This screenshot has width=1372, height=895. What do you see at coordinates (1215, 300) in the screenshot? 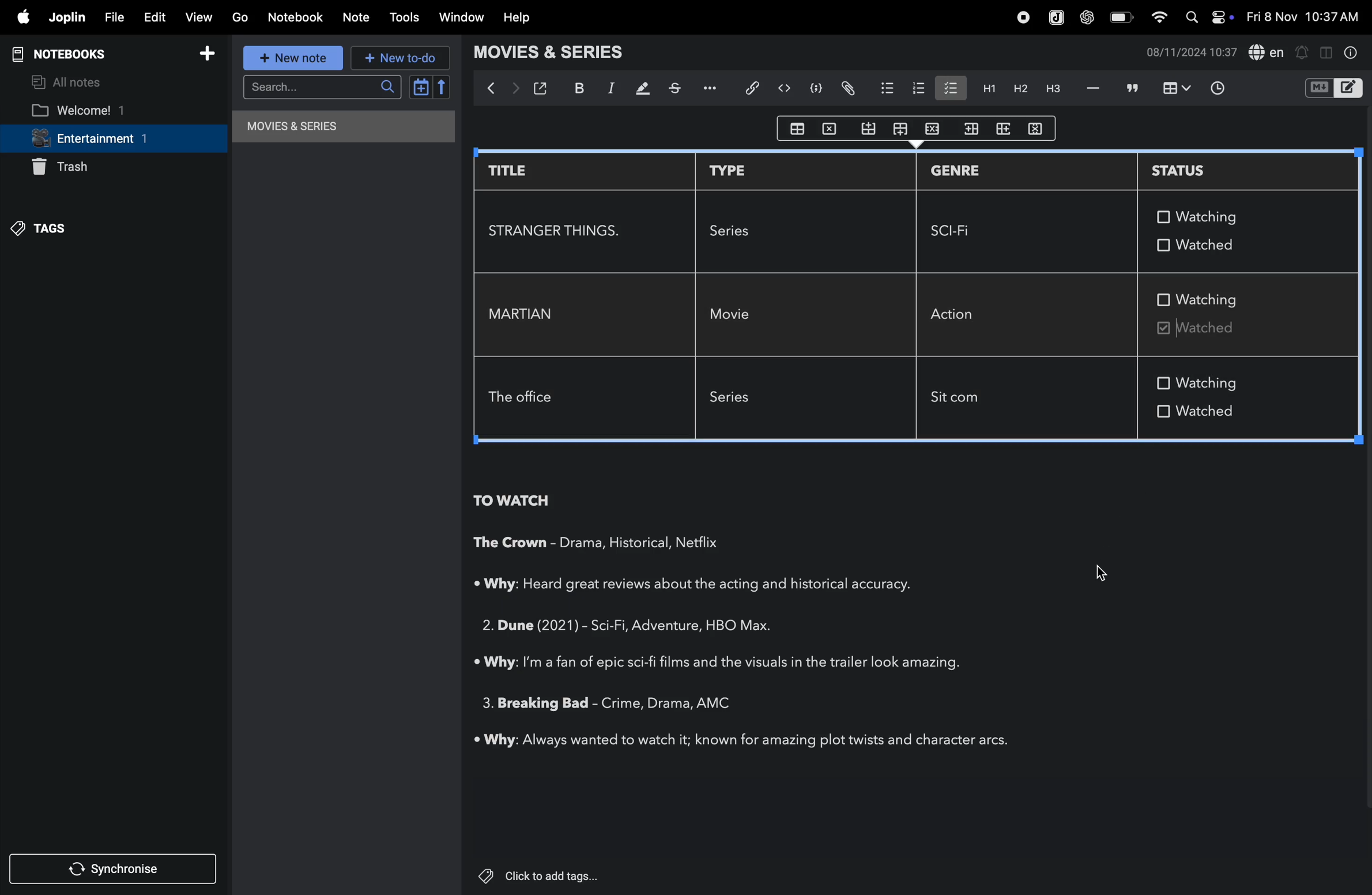
I see `watching` at bounding box center [1215, 300].